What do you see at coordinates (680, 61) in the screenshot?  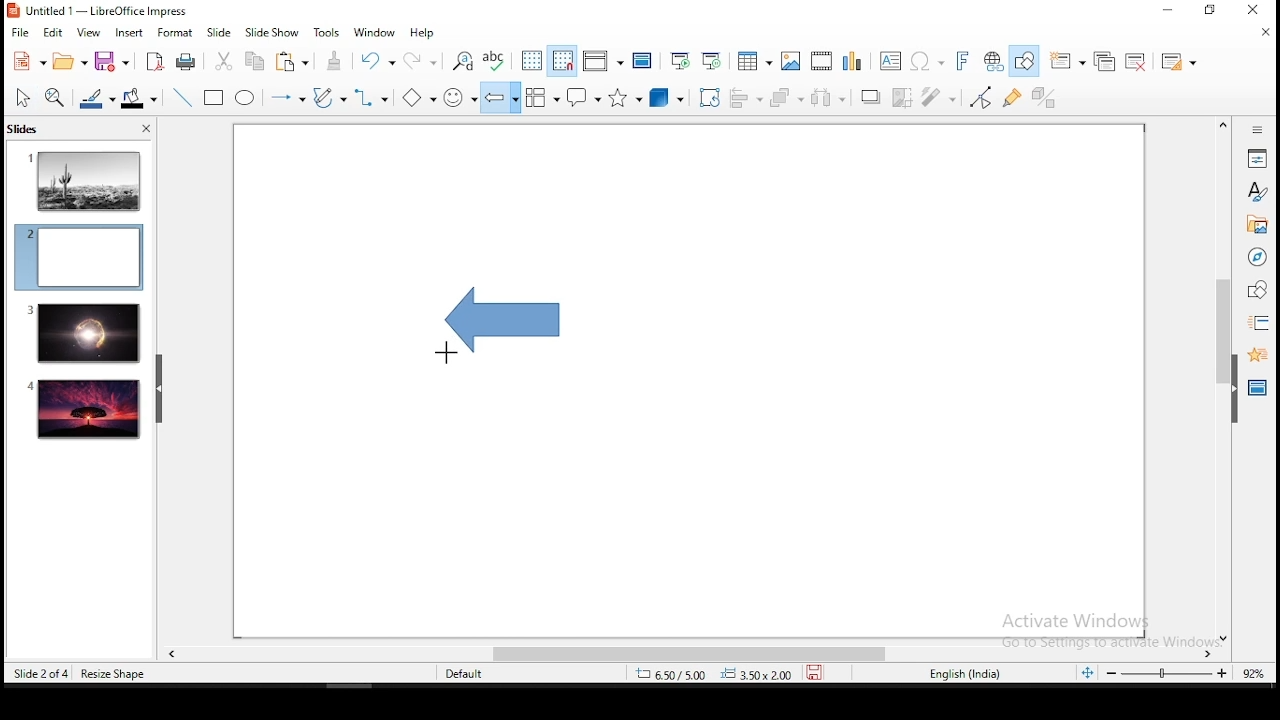 I see `start from first slide` at bounding box center [680, 61].